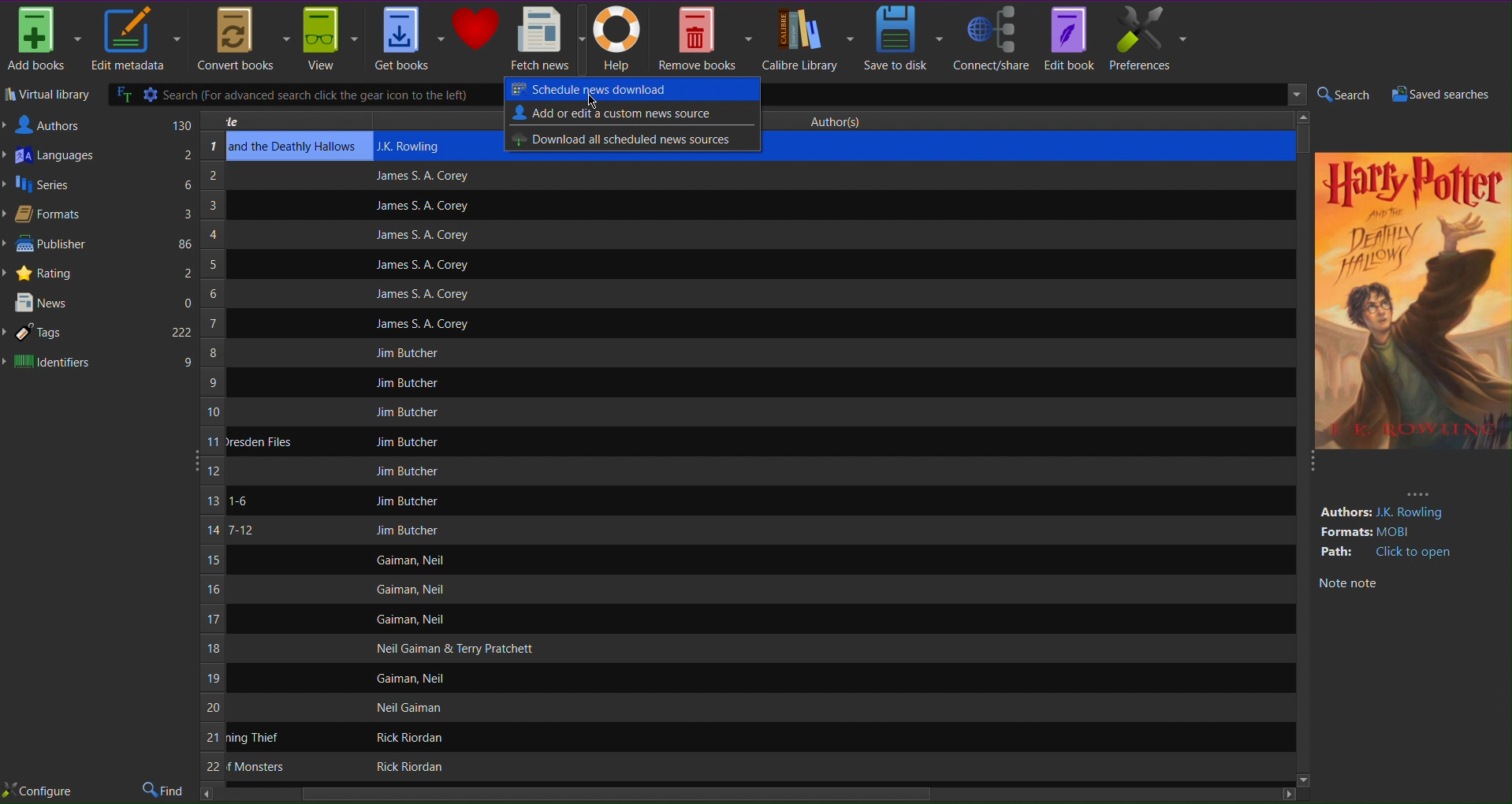  I want to click on Favorite, so click(476, 29).